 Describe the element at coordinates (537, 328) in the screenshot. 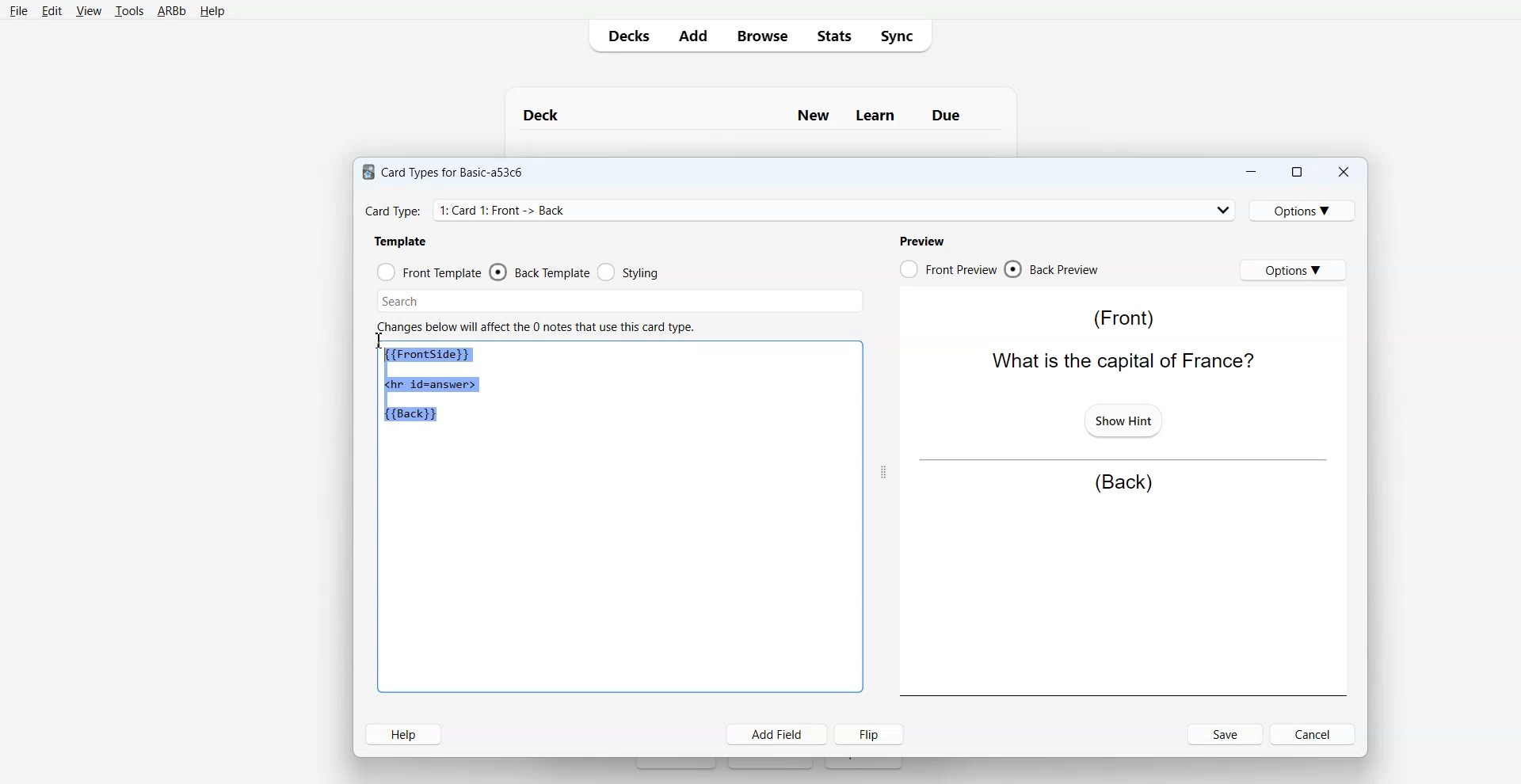

I see `Changes below will affect the 0 notes that use this card type.` at that location.